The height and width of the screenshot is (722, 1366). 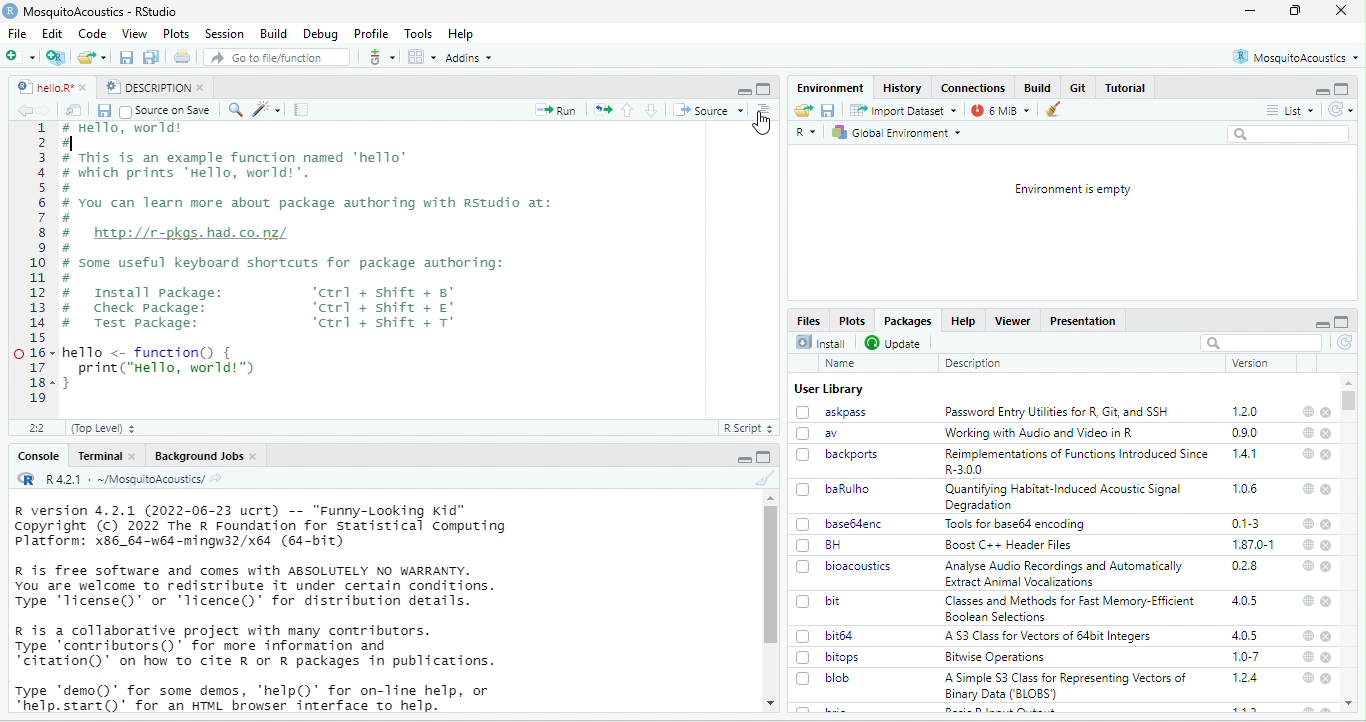 What do you see at coordinates (827, 678) in the screenshot?
I see `blob` at bounding box center [827, 678].